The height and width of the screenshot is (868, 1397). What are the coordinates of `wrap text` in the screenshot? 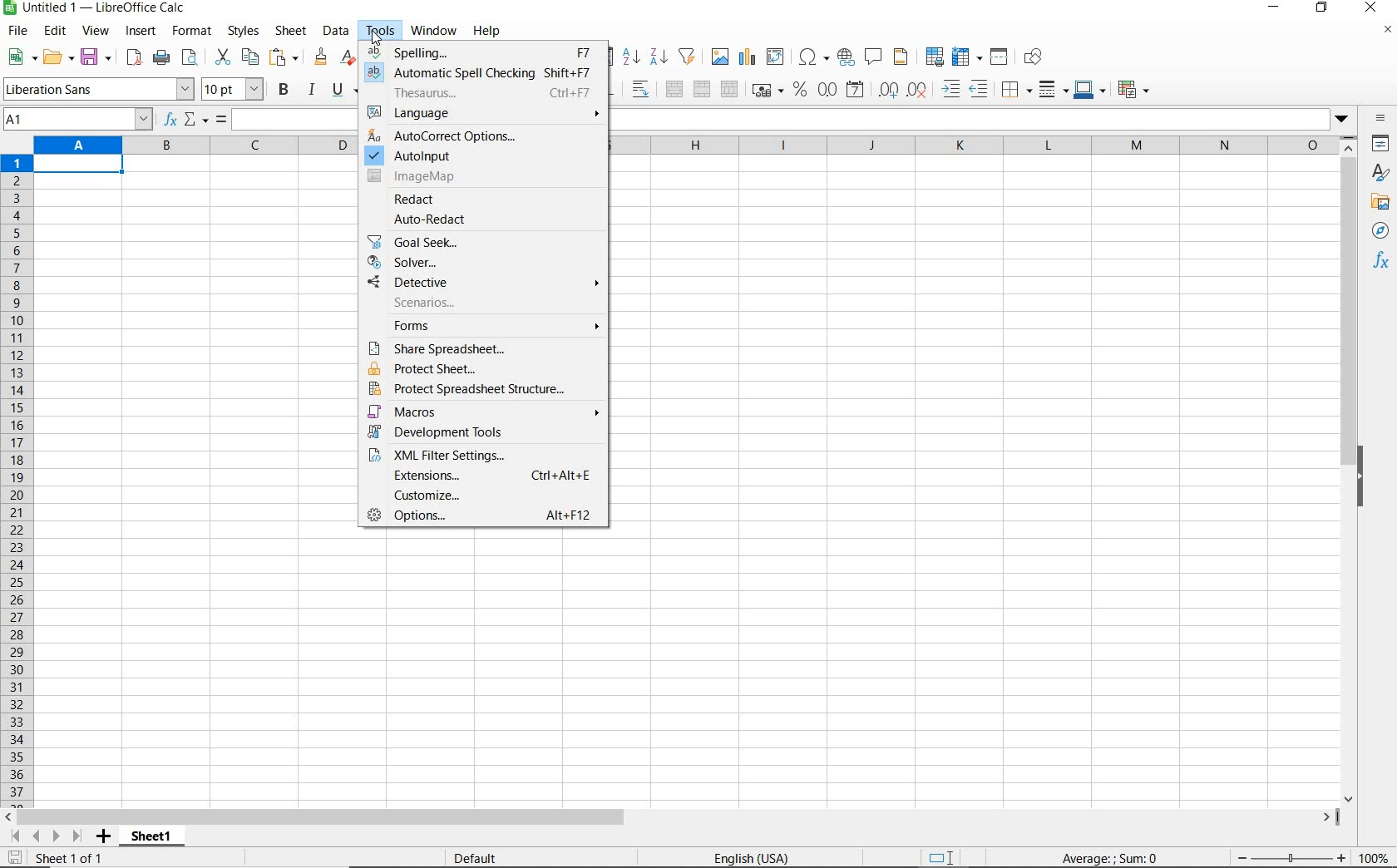 It's located at (639, 89).